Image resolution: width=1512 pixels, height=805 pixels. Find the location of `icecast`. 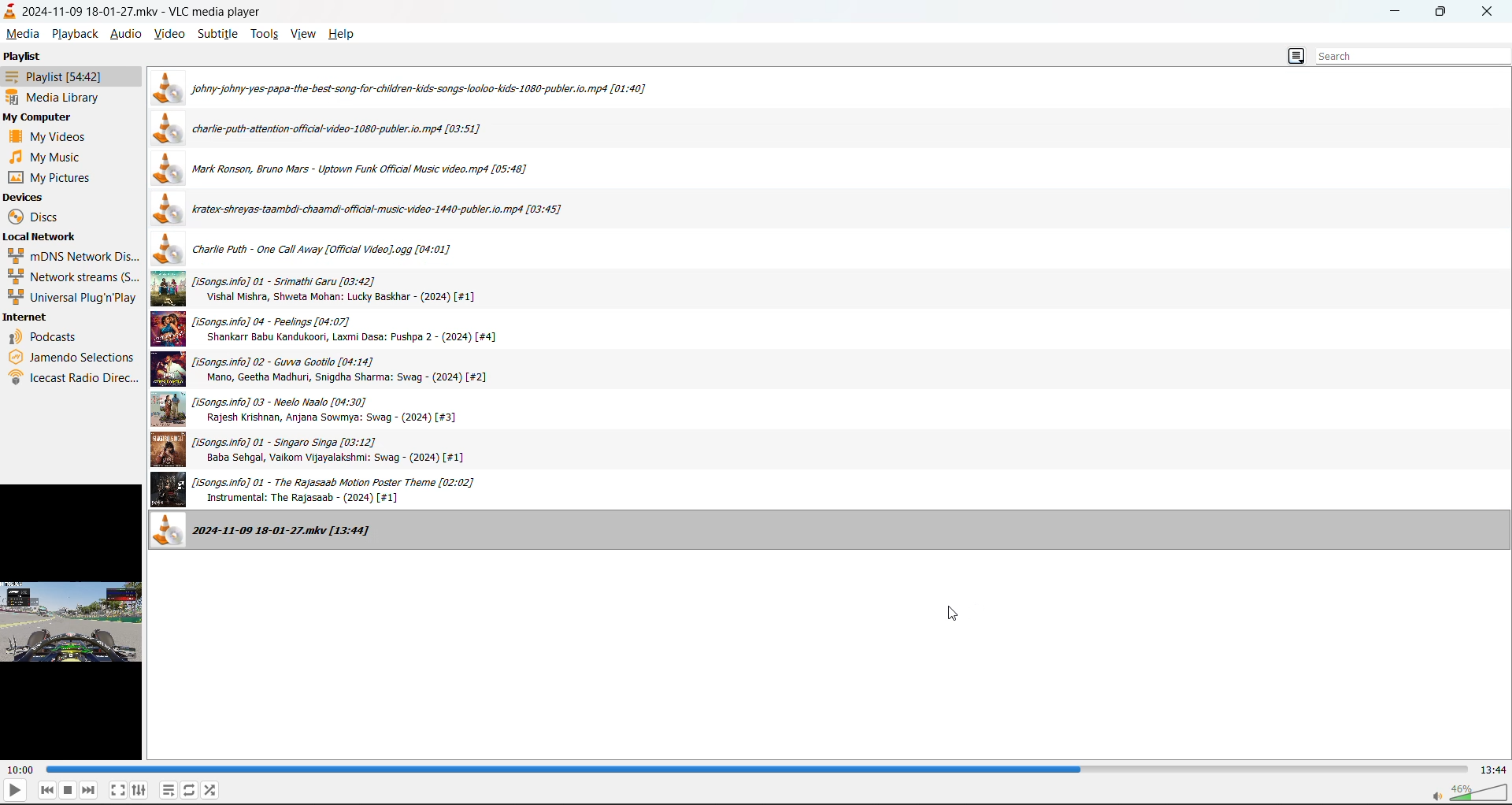

icecast is located at coordinates (73, 377).